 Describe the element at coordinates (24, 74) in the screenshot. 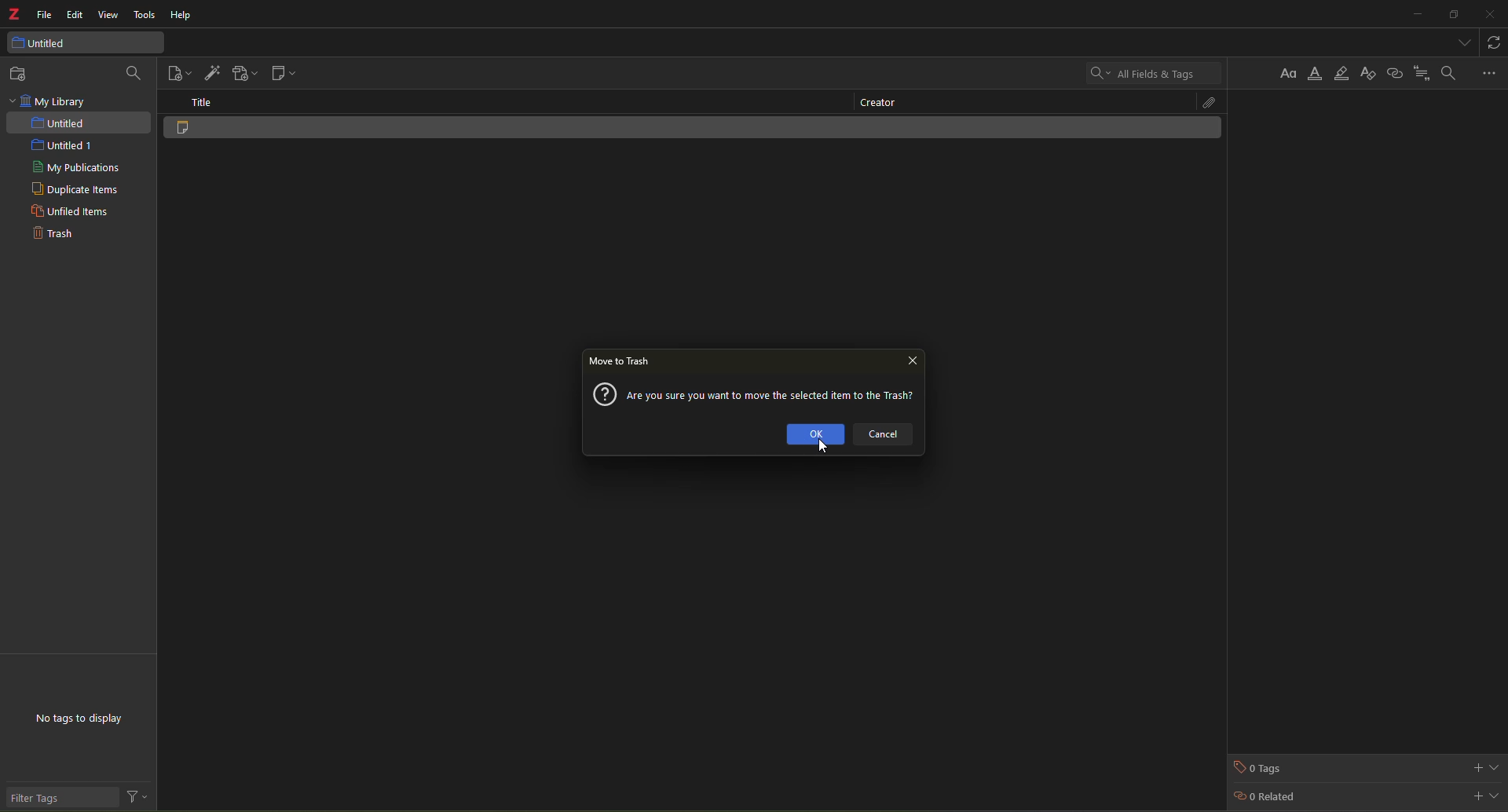

I see `new collection` at that location.